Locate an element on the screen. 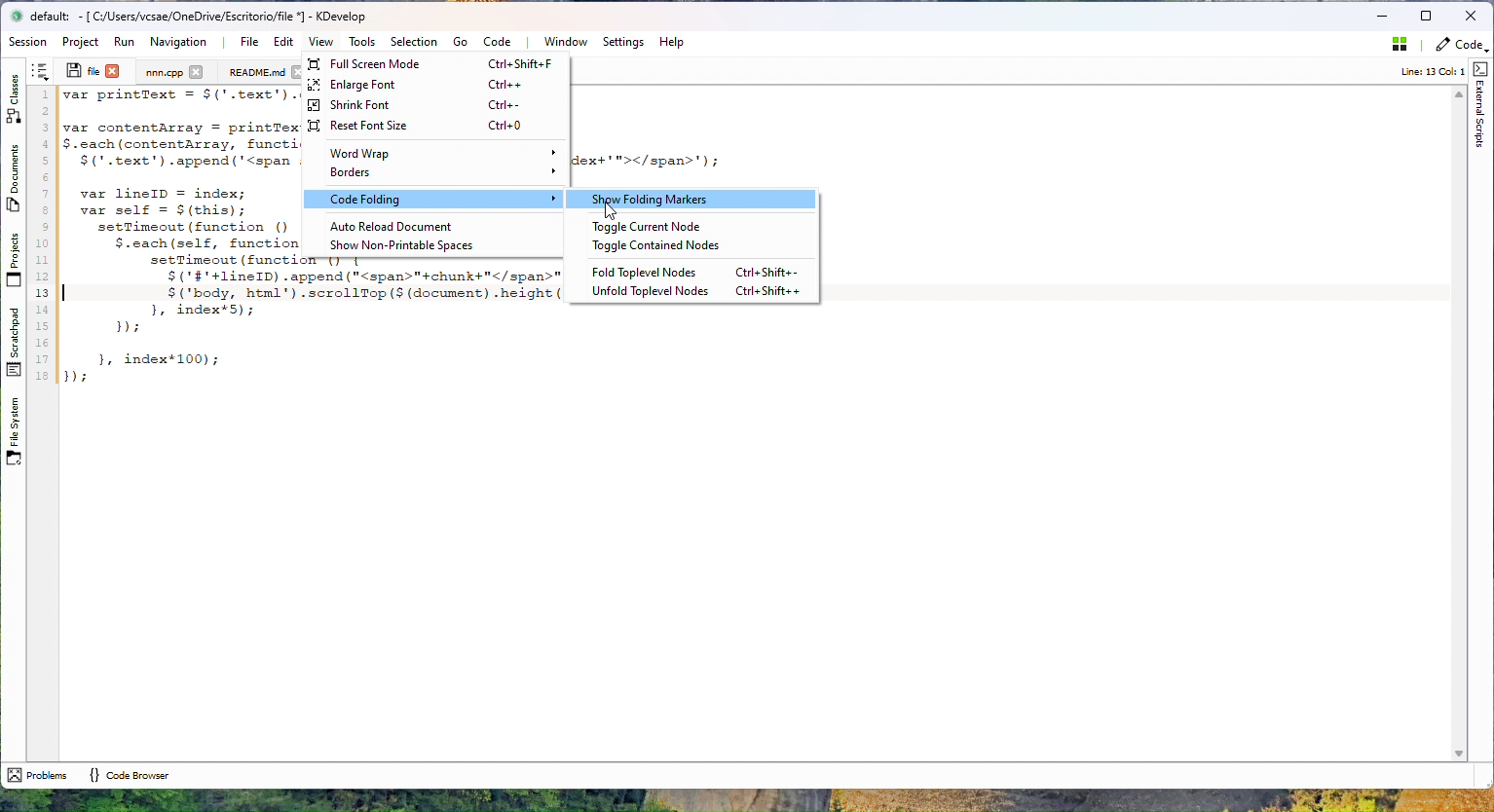 The height and width of the screenshot is (812, 1494). Unfold top level nodes is located at coordinates (699, 291).